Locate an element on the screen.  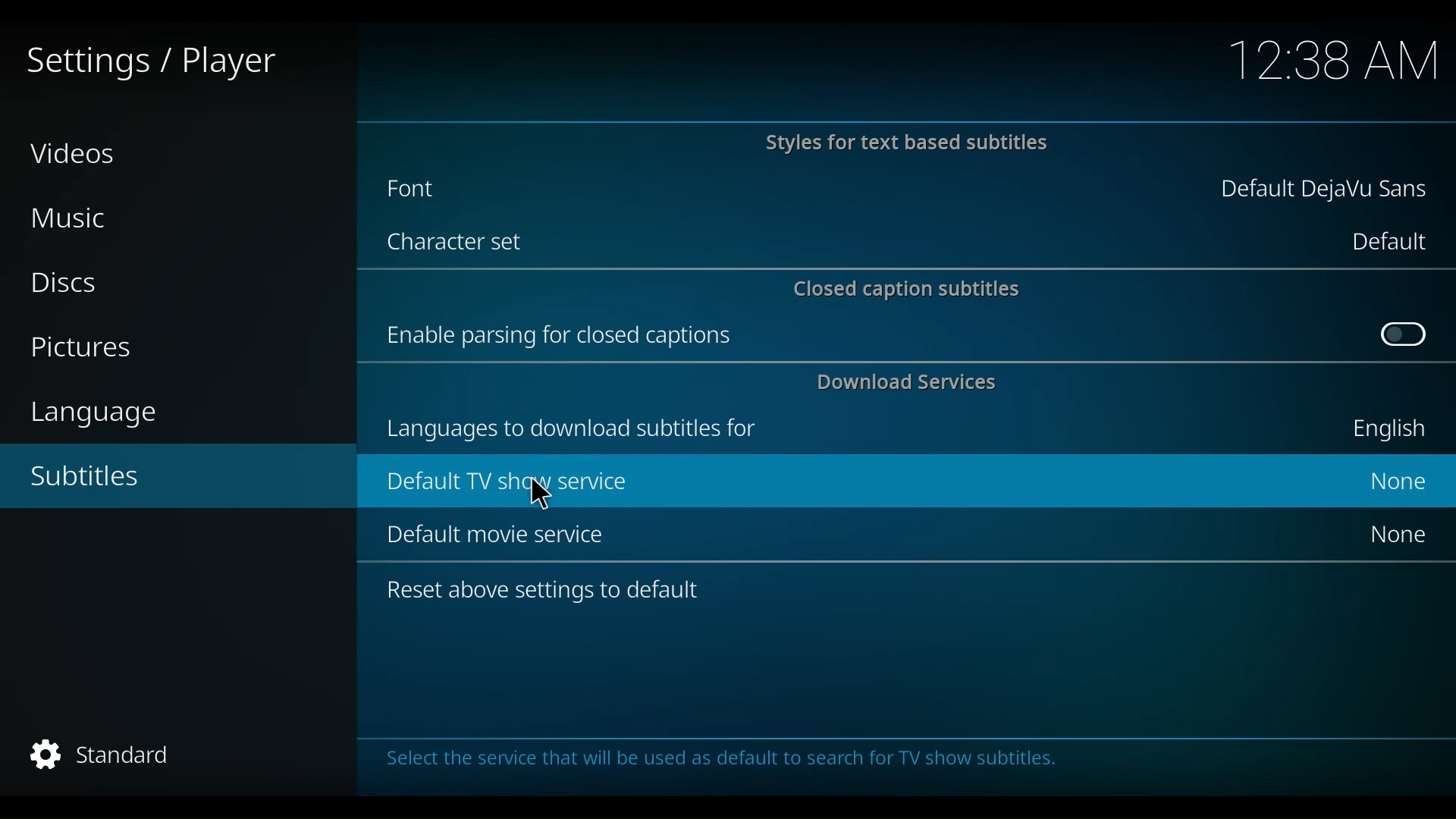
language is located at coordinates (102, 413).